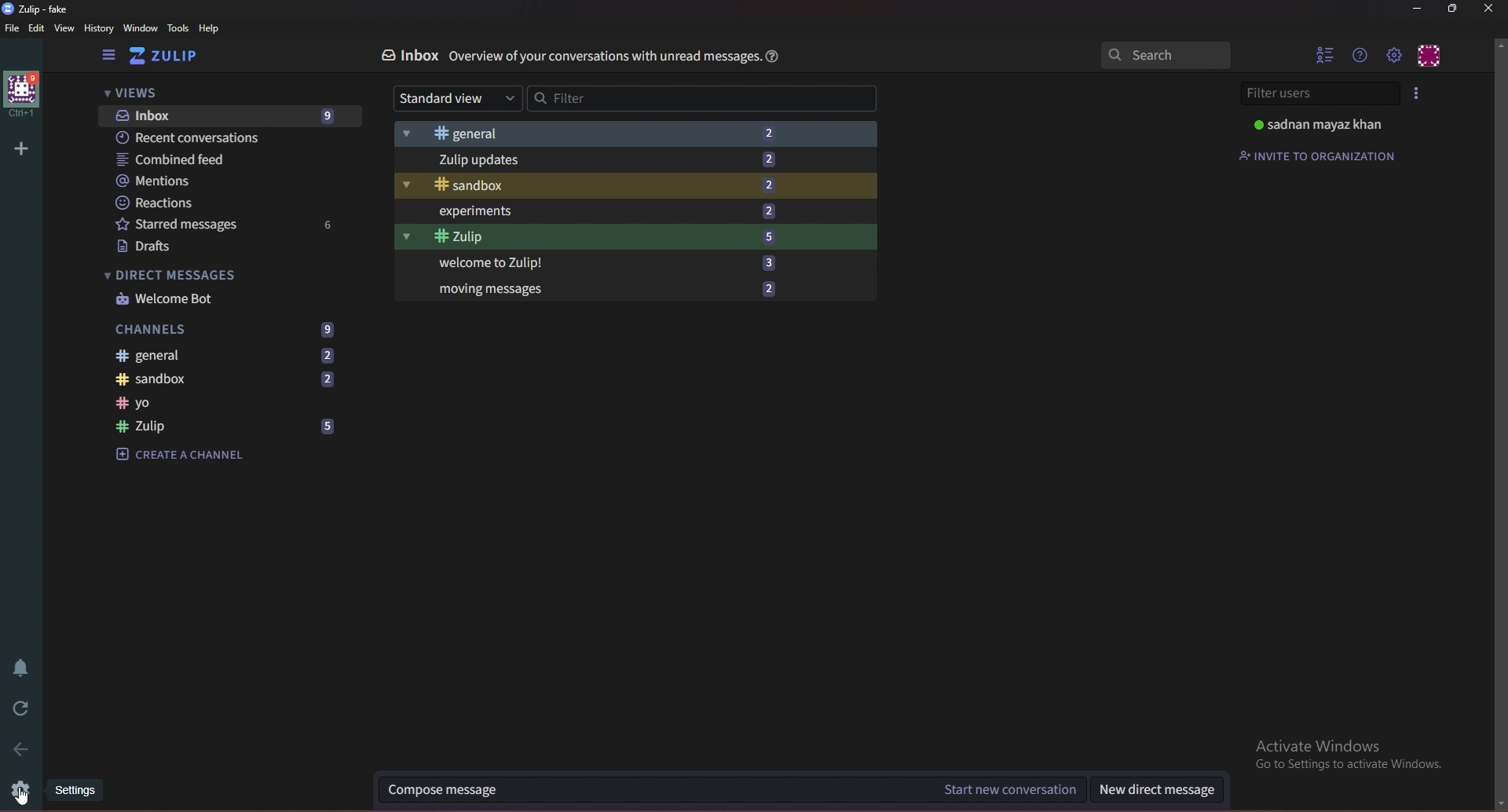  What do you see at coordinates (1393, 55) in the screenshot?
I see `main menu` at bounding box center [1393, 55].